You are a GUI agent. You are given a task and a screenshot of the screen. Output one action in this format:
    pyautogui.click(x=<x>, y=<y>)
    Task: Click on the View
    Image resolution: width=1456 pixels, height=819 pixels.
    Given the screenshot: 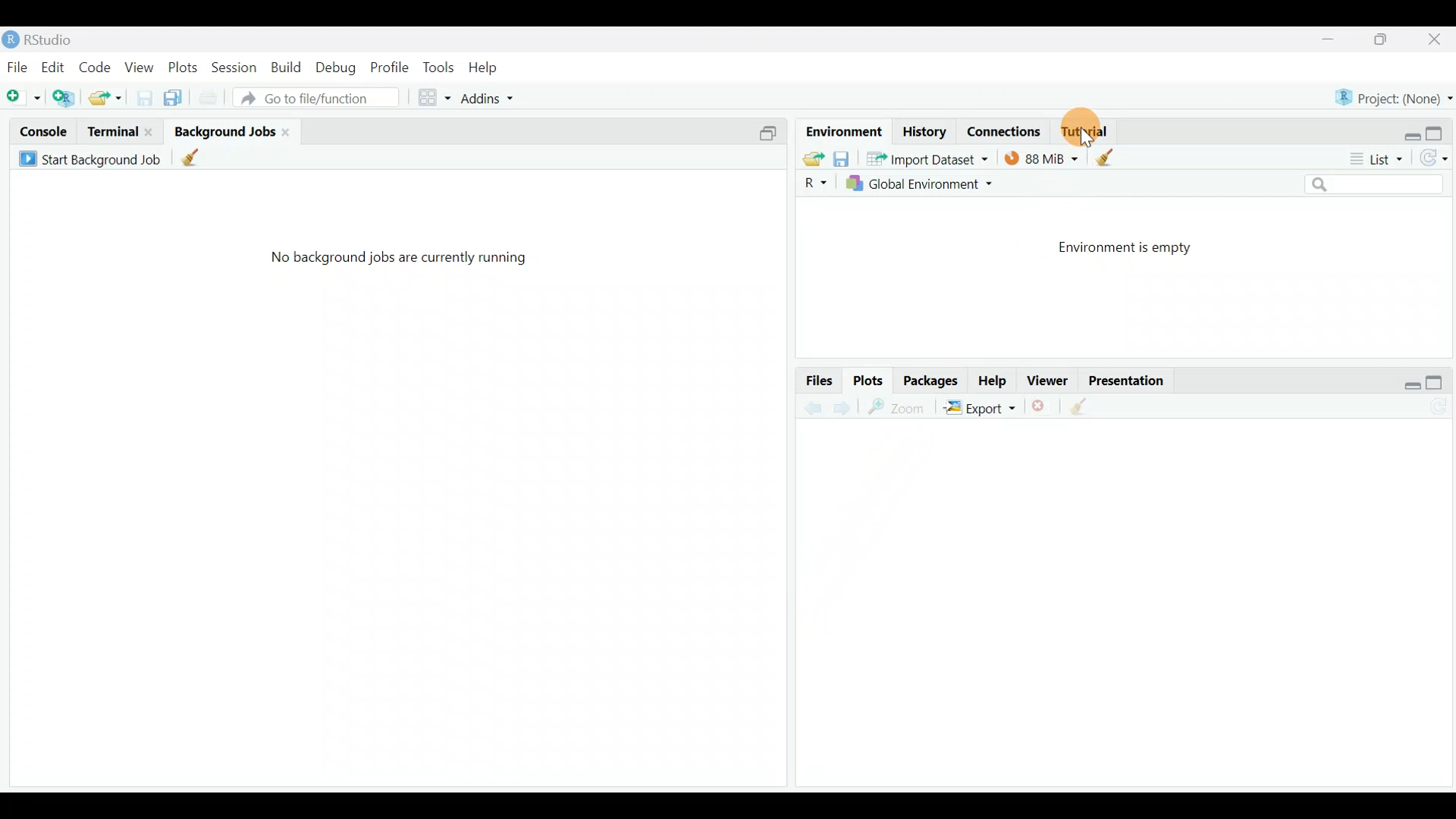 What is the action you would take?
    pyautogui.click(x=138, y=69)
    